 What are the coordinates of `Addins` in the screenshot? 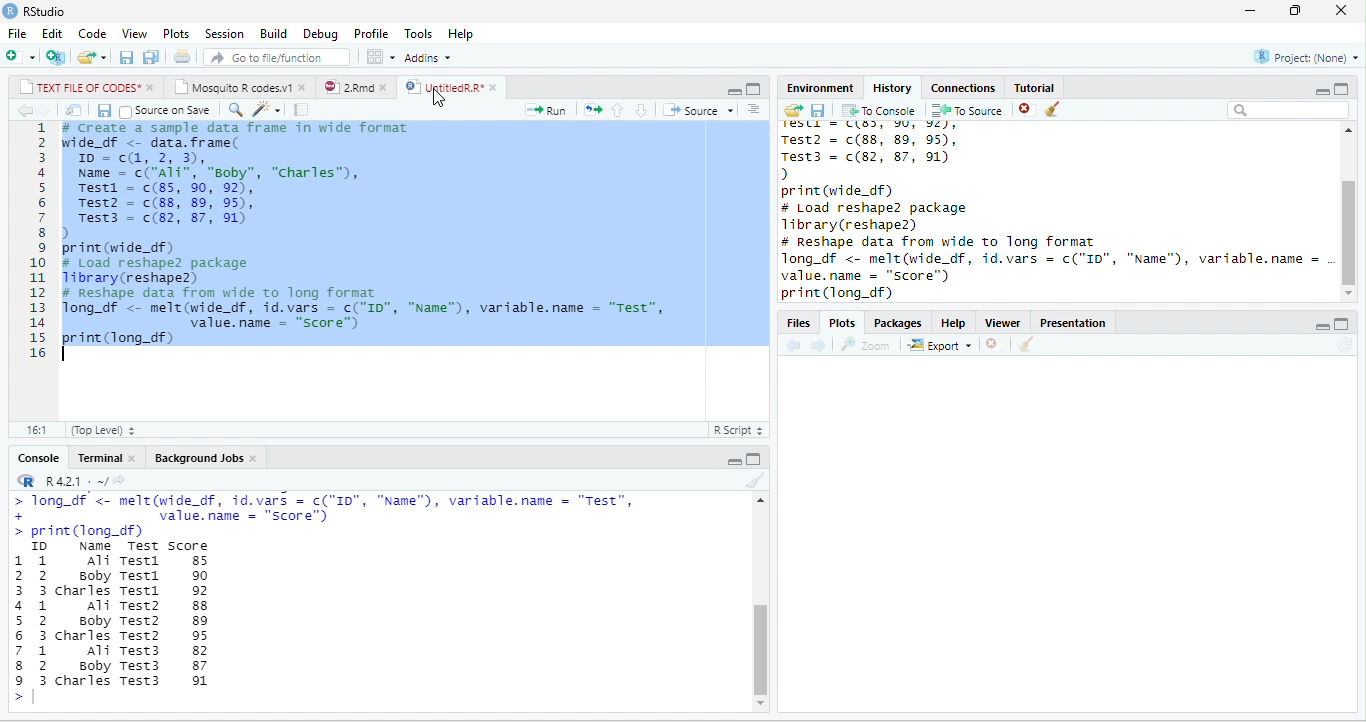 It's located at (428, 58).